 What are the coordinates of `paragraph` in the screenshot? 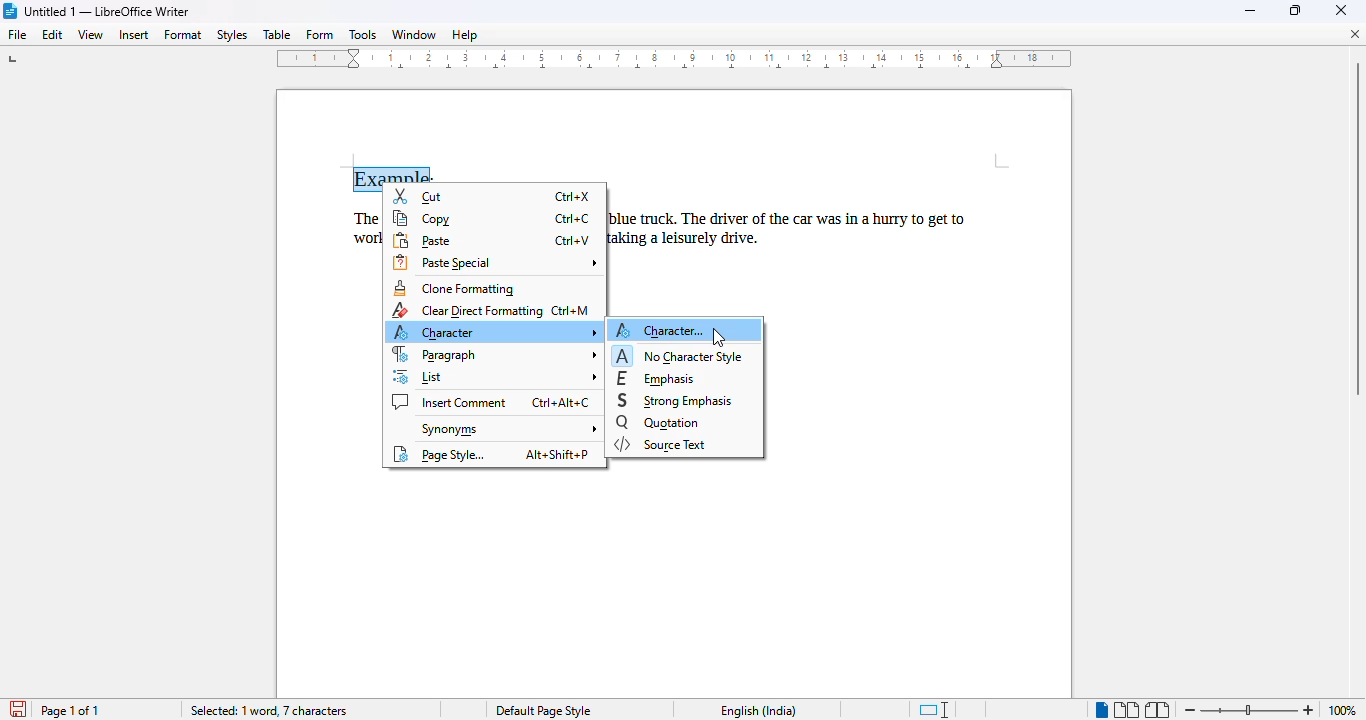 It's located at (494, 354).